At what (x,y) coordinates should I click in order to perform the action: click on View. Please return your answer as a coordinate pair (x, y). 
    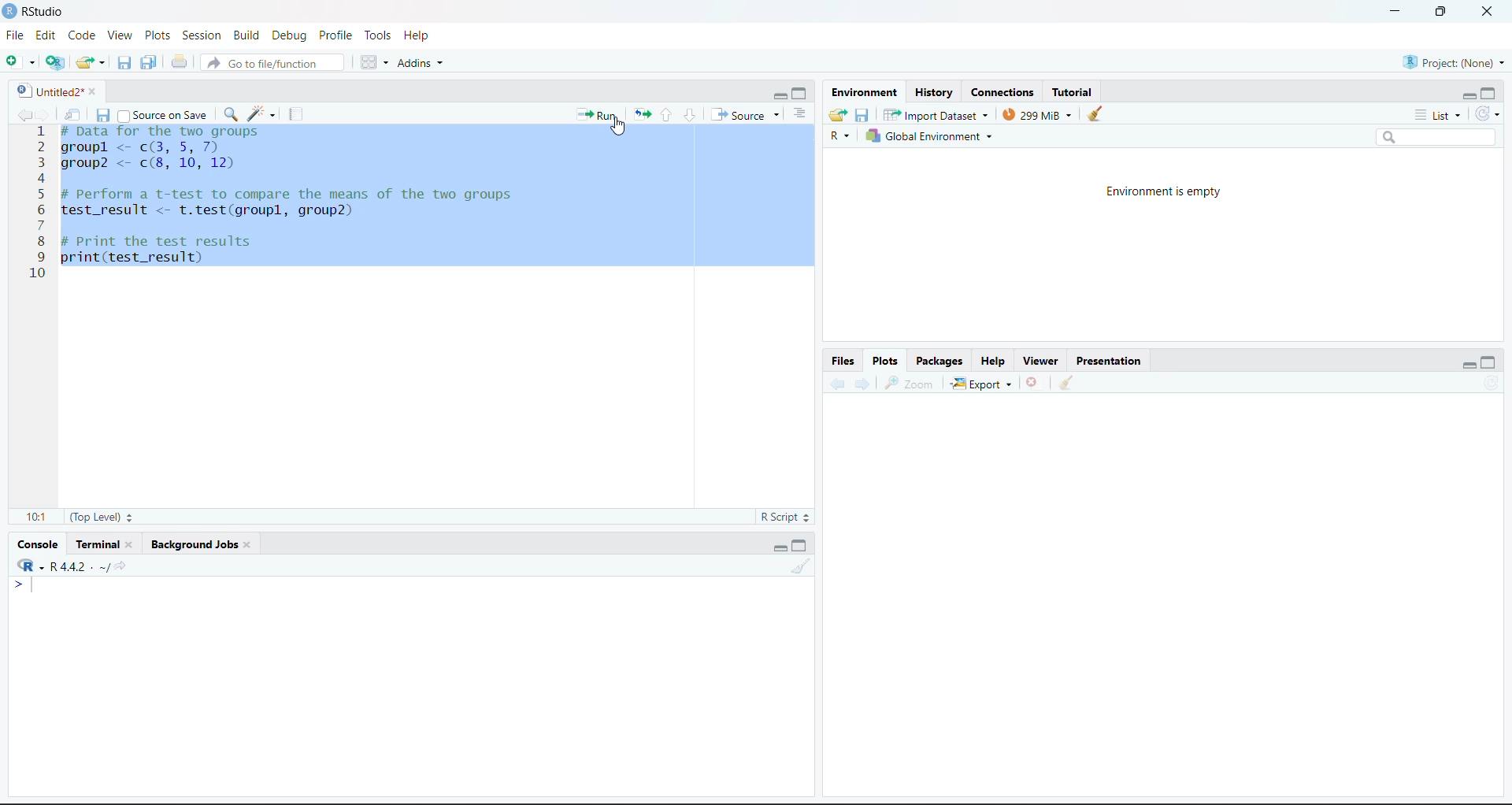
    Looking at the image, I should click on (120, 34).